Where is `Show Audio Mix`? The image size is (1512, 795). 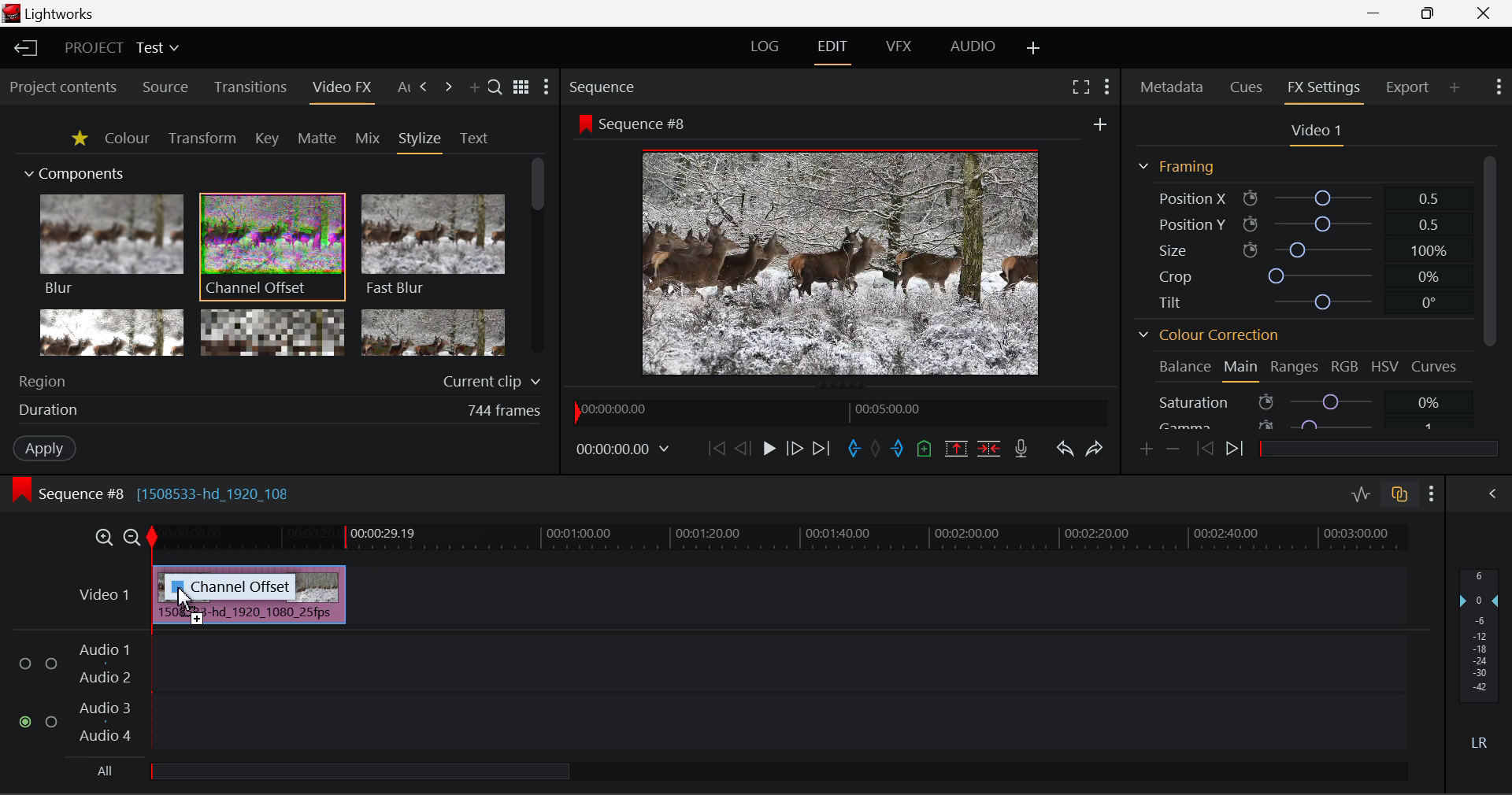 Show Audio Mix is located at coordinates (1484, 494).